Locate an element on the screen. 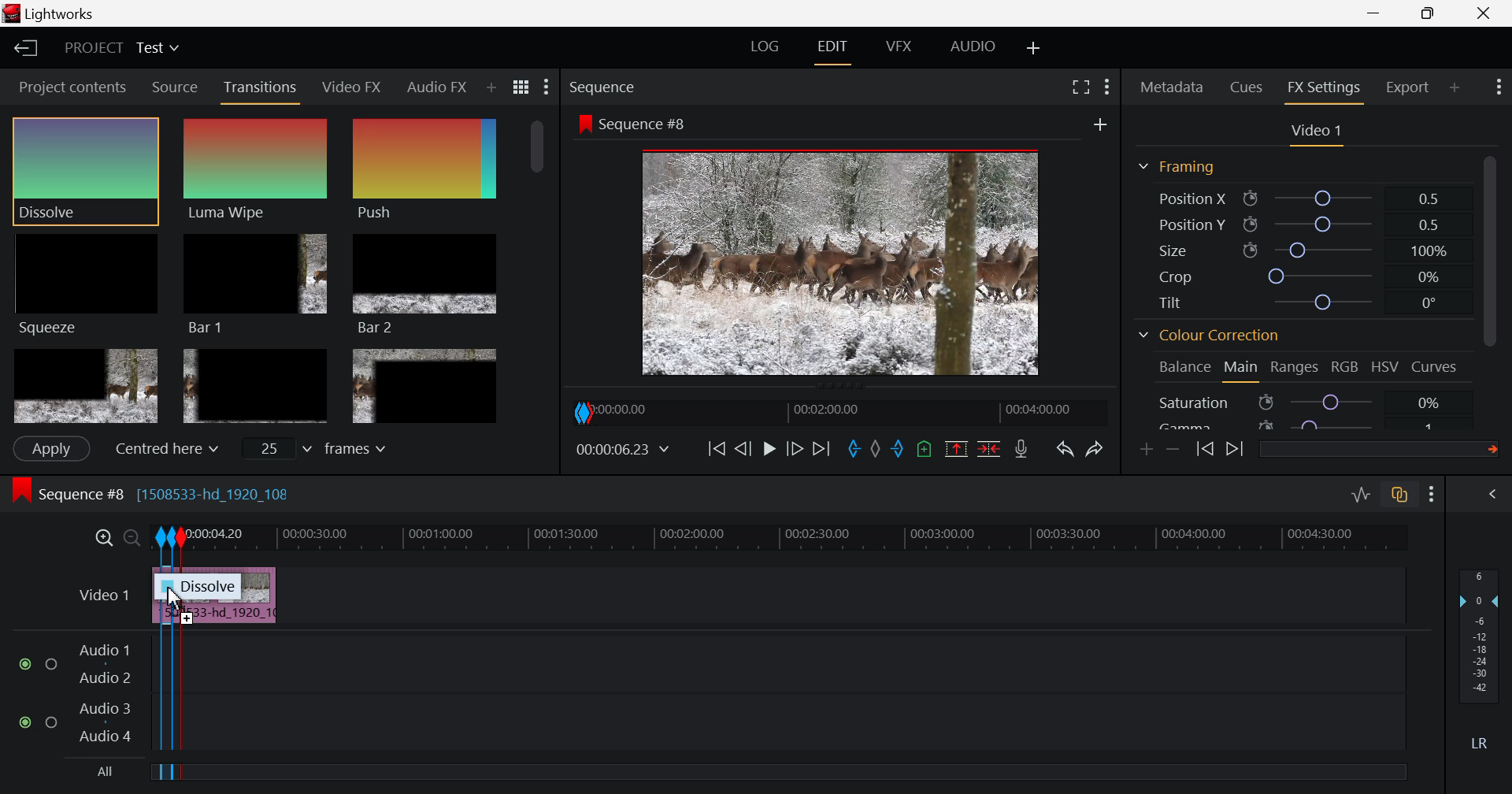  Bar 2 is located at coordinates (426, 284).